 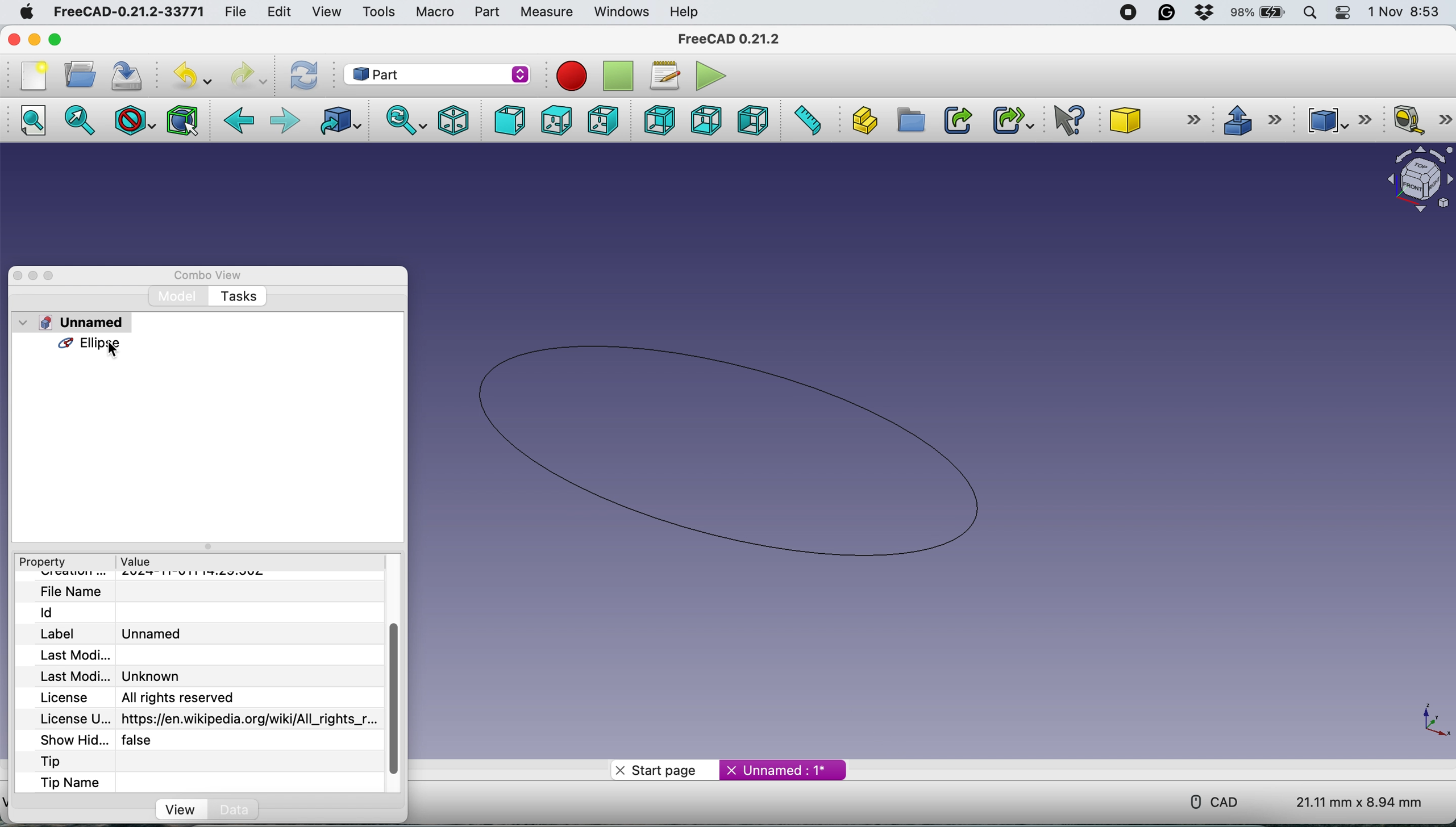 What do you see at coordinates (284, 120) in the screenshot?
I see `foward` at bounding box center [284, 120].